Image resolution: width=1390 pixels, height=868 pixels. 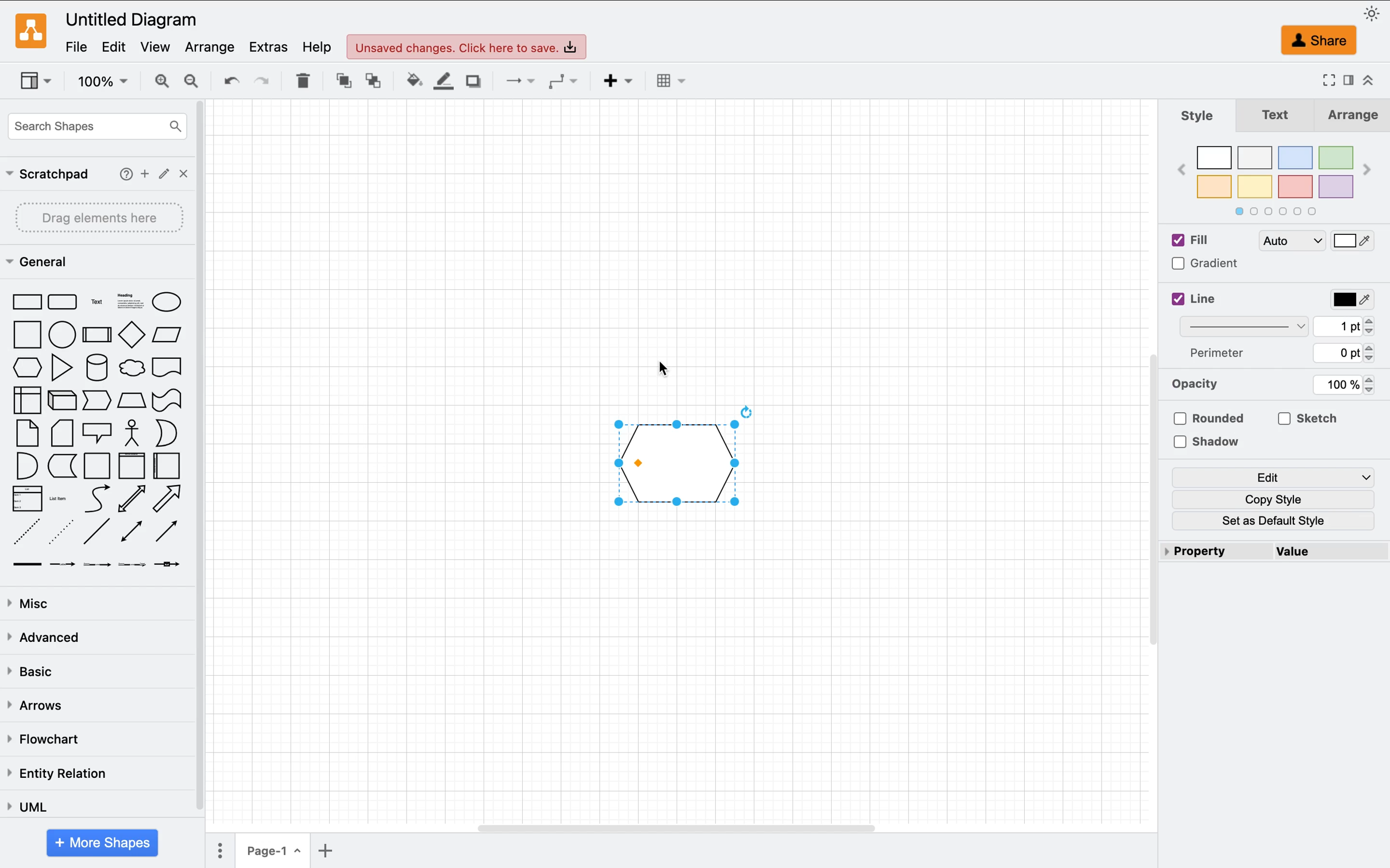 What do you see at coordinates (1214, 549) in the screenshot?
I see `Property` at bounding box center [1214, 549].